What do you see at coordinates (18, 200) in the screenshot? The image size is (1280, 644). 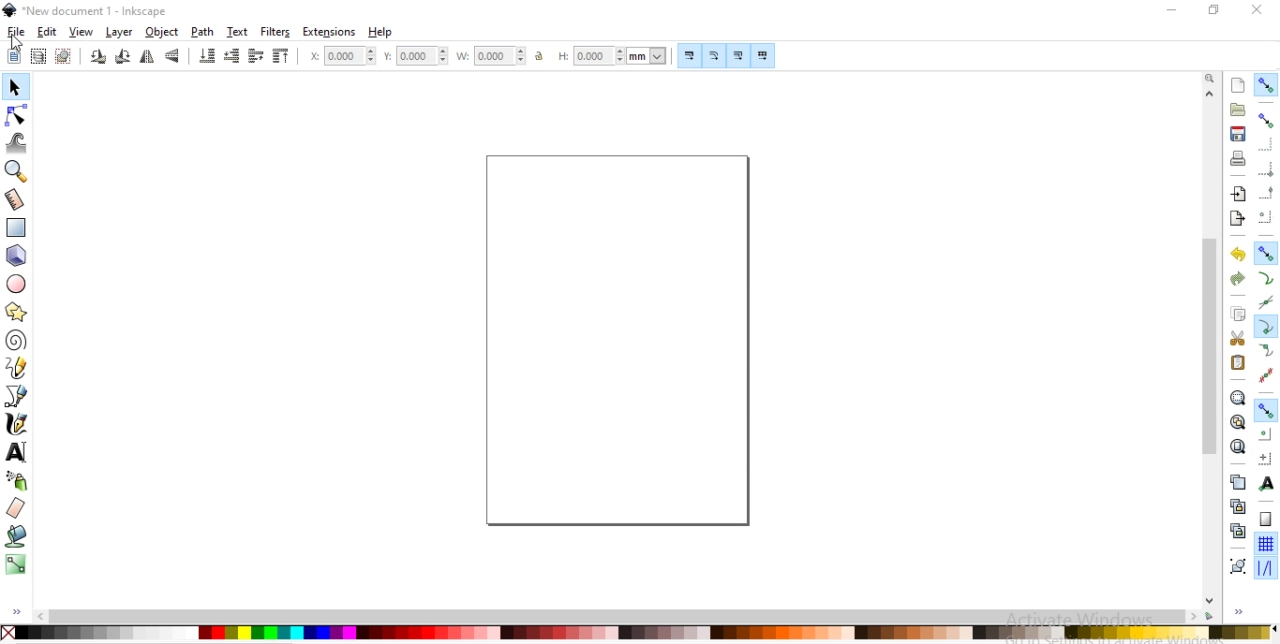 I see `measurement tools` at bounding box center [18, 200].